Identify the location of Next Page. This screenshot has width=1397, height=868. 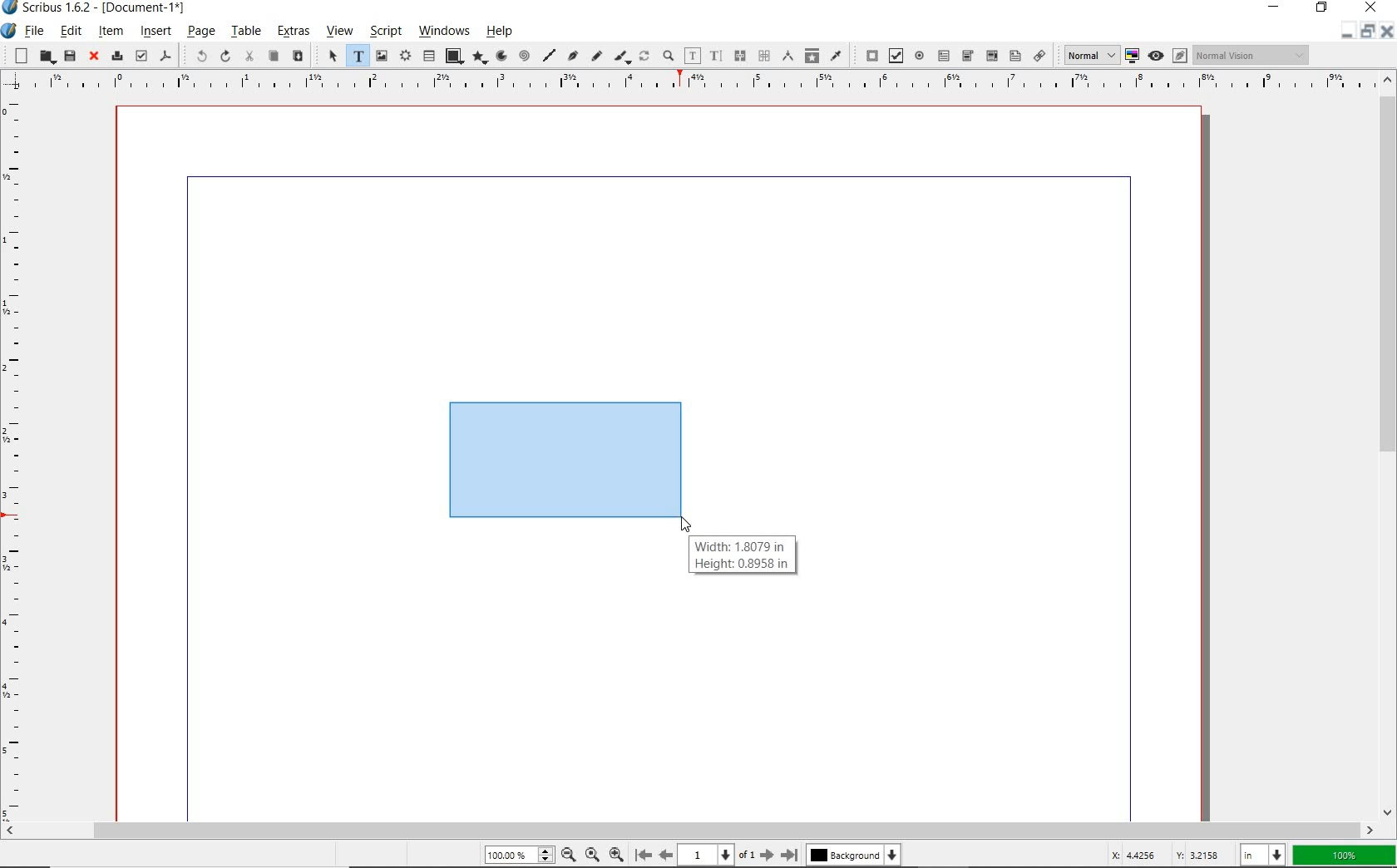
(768, 855).